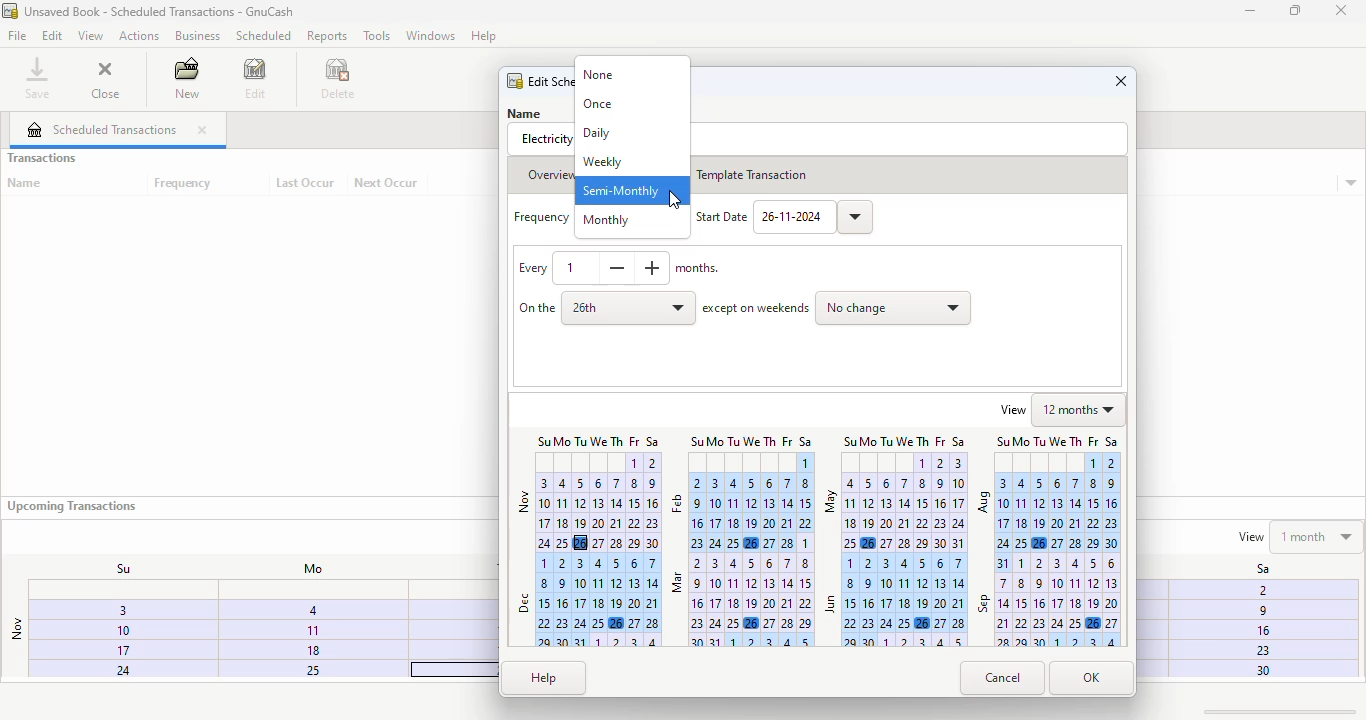  What do you see at coordinates (307, 569) in the screenshot?
I see `Mo` at bounding box center [307, 569].